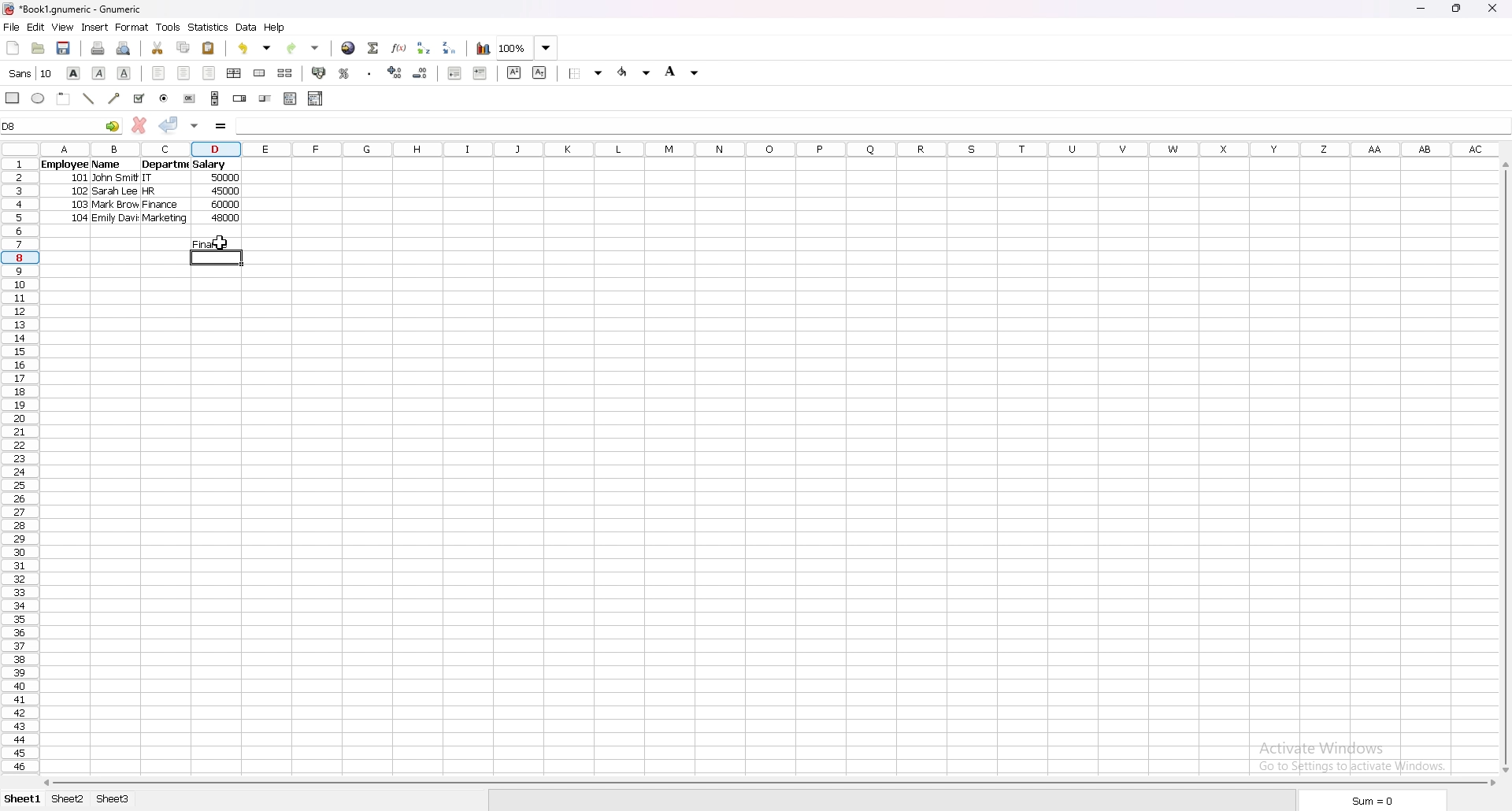  I want to click on function, so click(399, 47).